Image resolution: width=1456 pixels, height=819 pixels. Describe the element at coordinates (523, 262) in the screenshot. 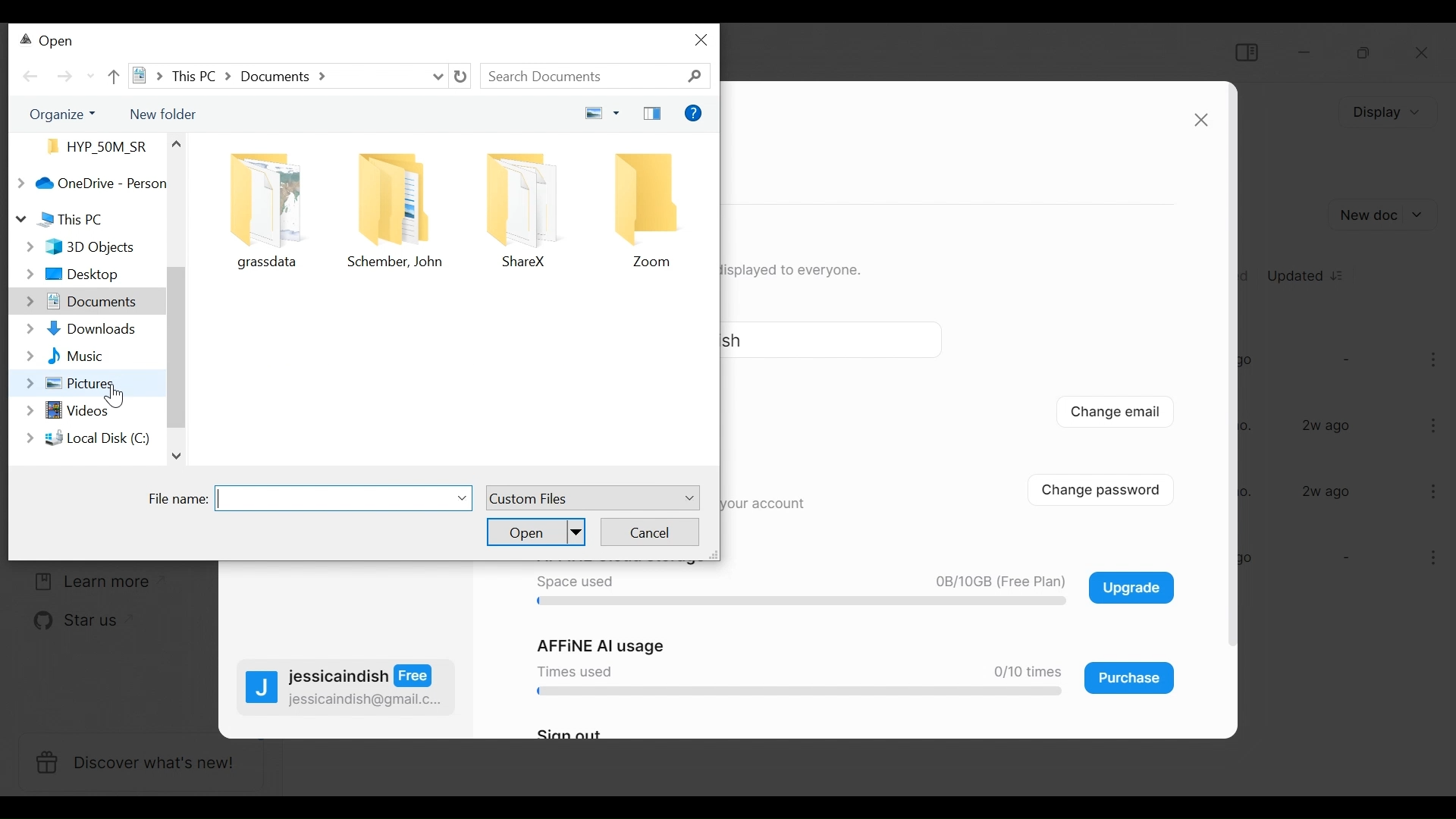

I see `ShareX` at that location.